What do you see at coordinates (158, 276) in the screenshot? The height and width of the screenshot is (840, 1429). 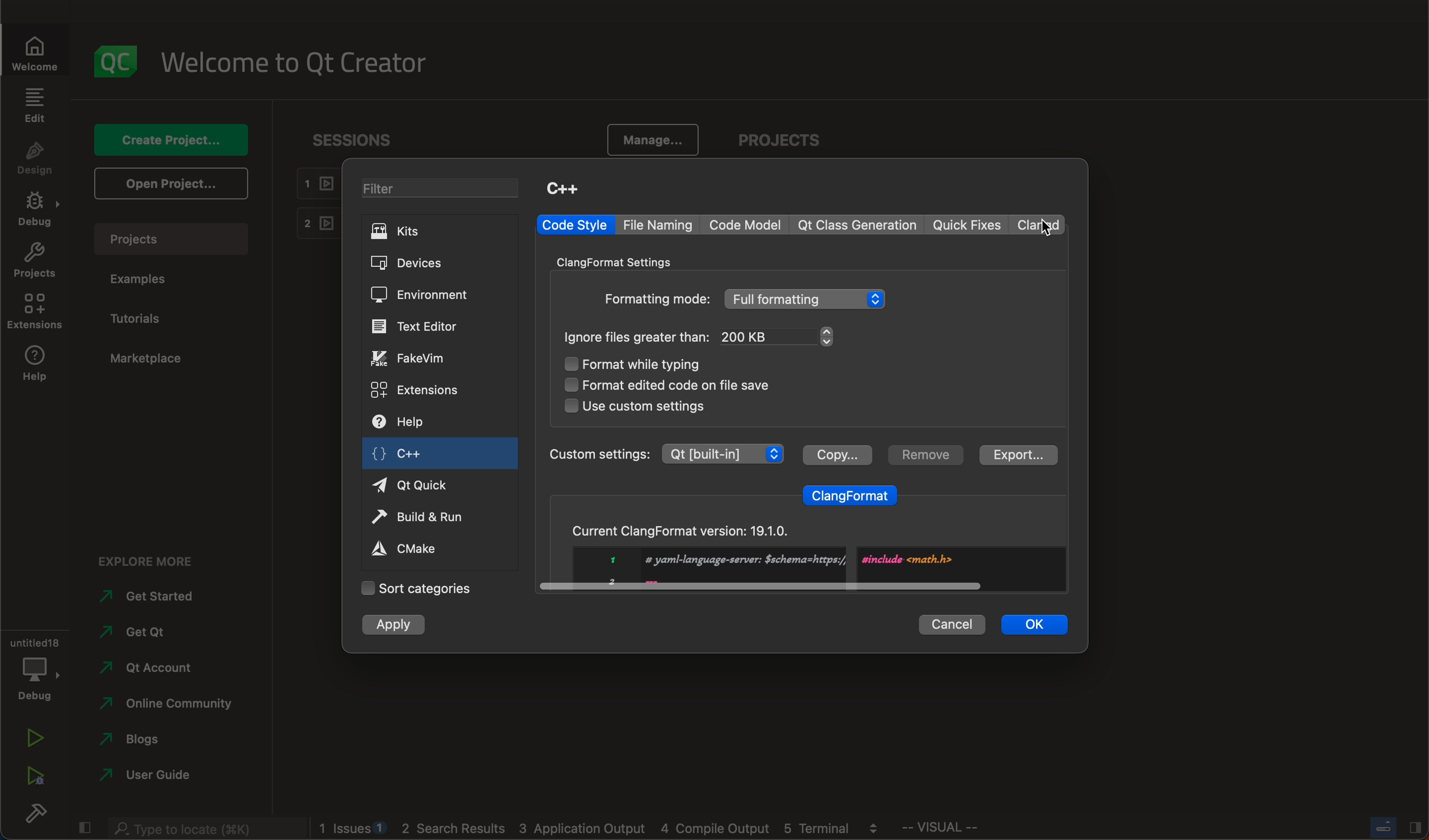 I see `examples` at bounding box center [158, 276].